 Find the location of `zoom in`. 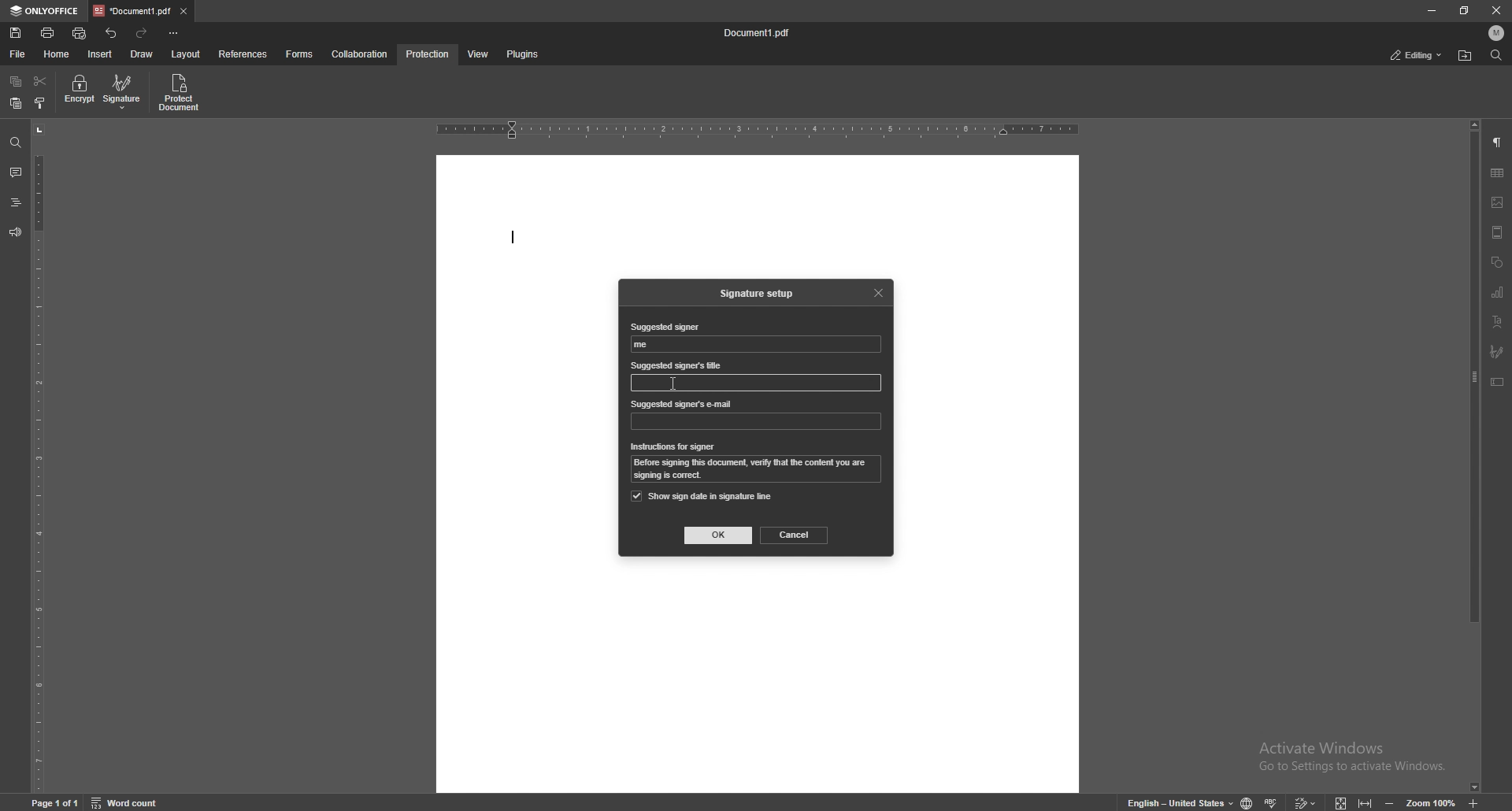

zoom in is located at coordinates (1487, 803).